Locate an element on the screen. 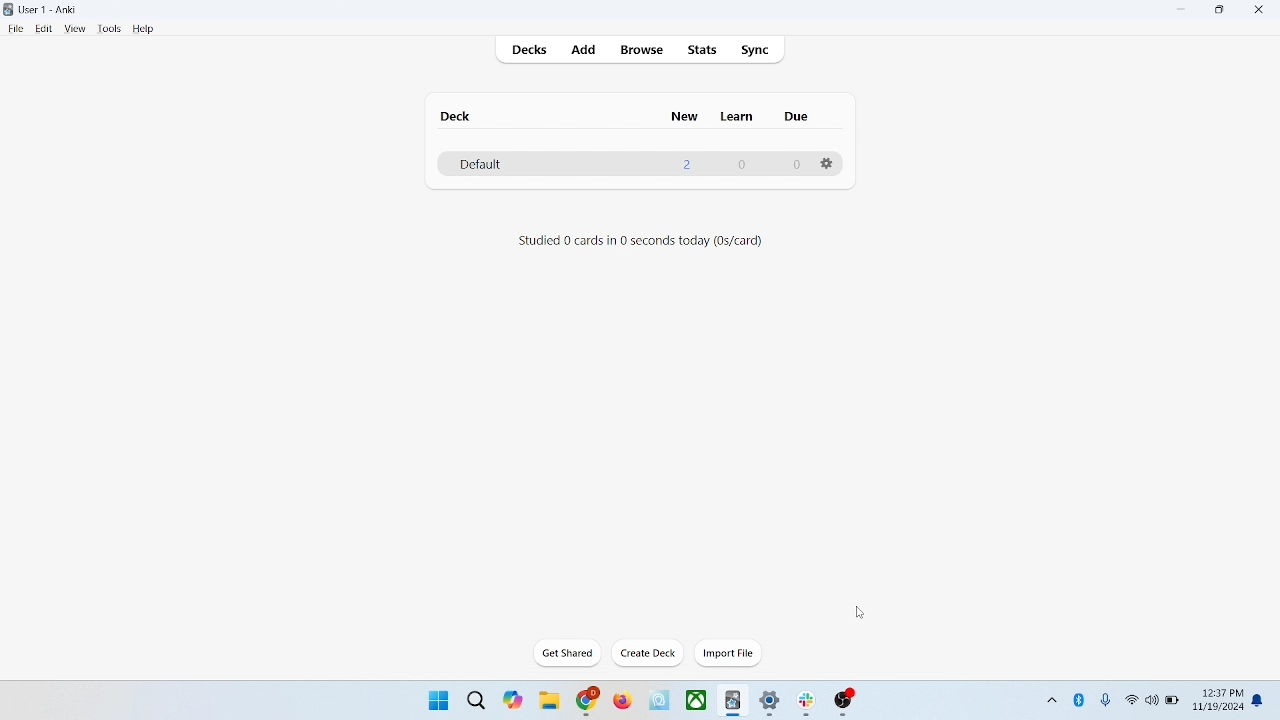 Image resolution: width=1280 pixels, height=720 pixels. x-box is located at coordinates (697, 700).